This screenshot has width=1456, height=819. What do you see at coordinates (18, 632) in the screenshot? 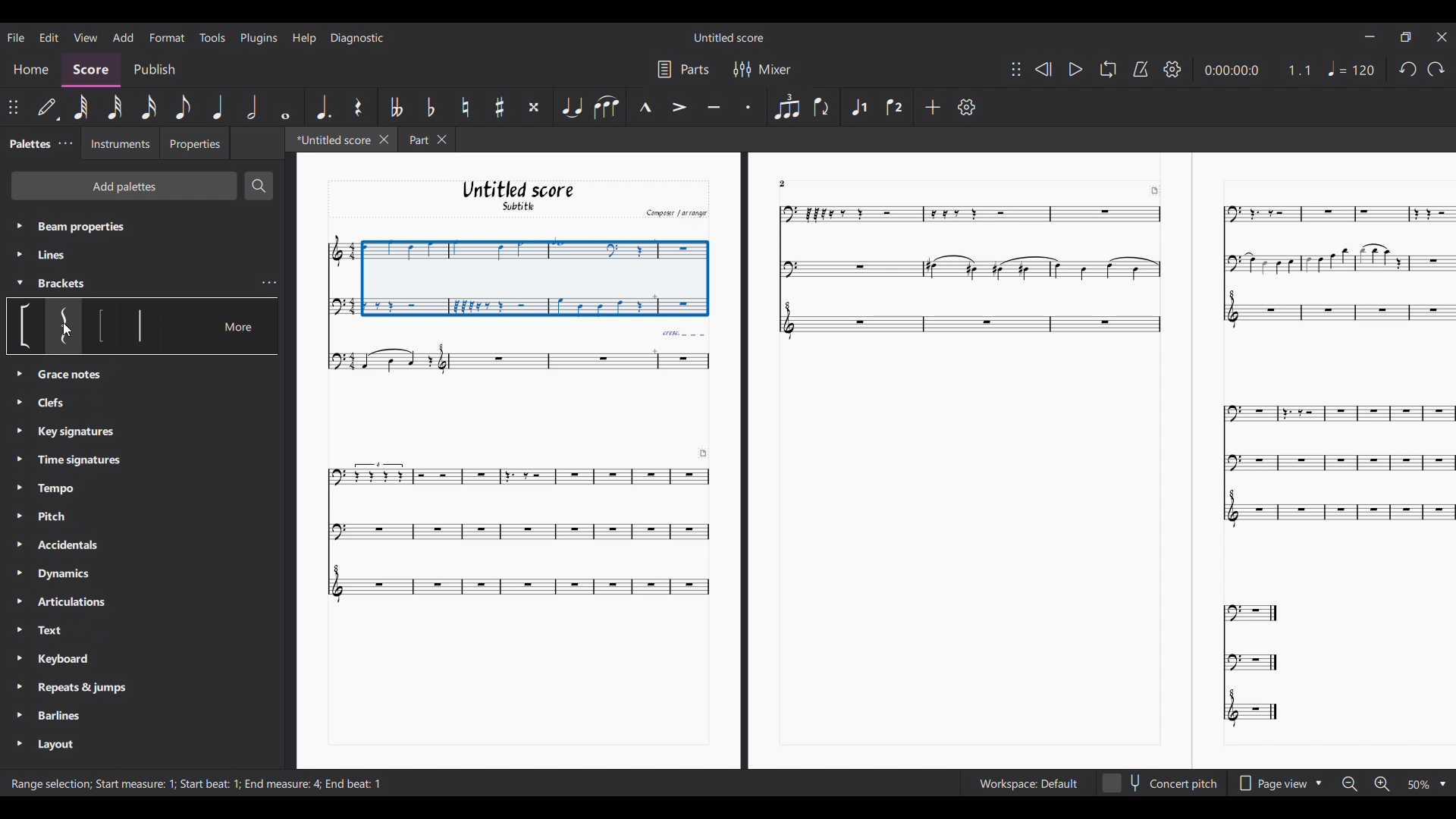
I see `` at bounding box center [18, 632].